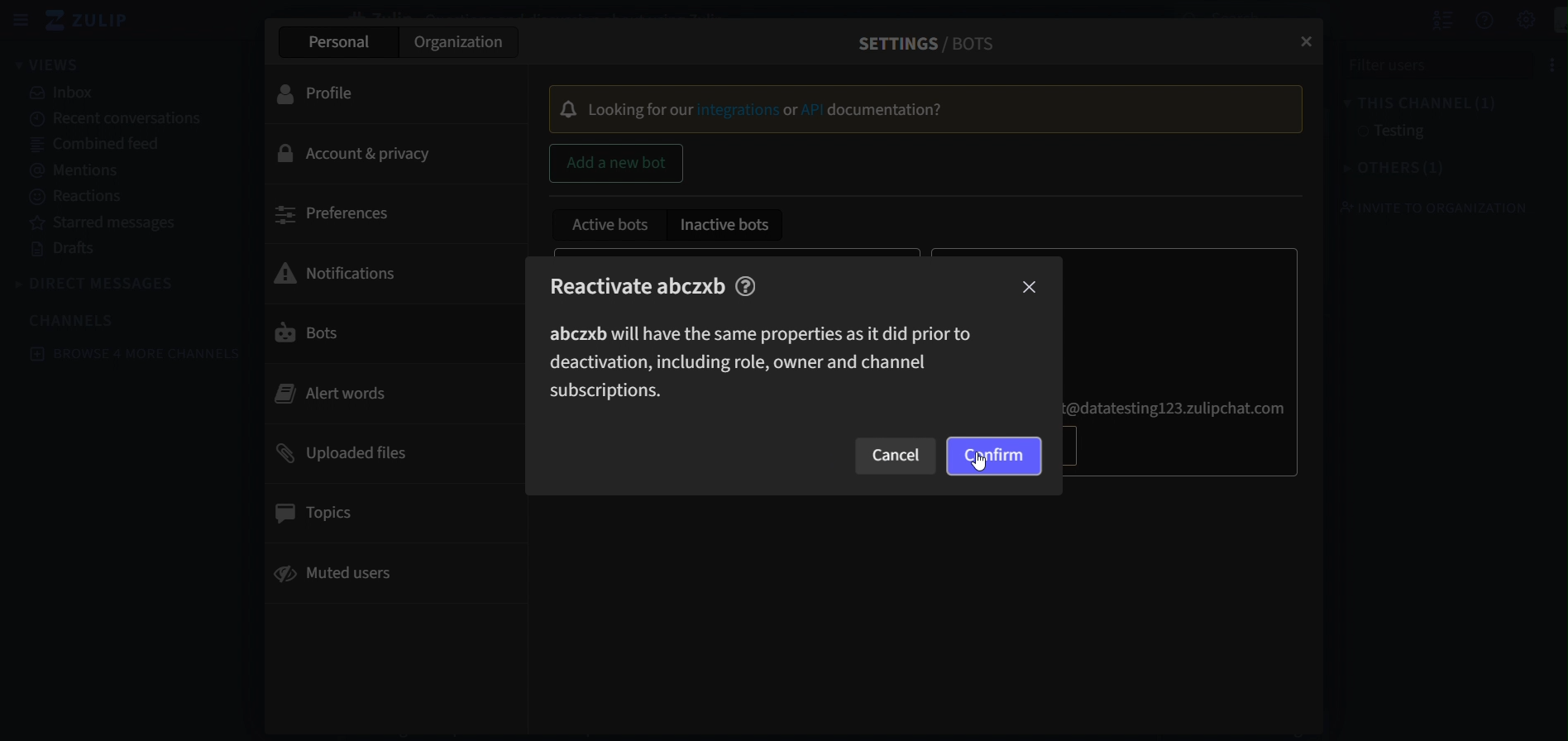 The image size is (1568, 741). Describe the element at coordinates (1425, 18) in the screenshot. I see `hide user list` at that location.